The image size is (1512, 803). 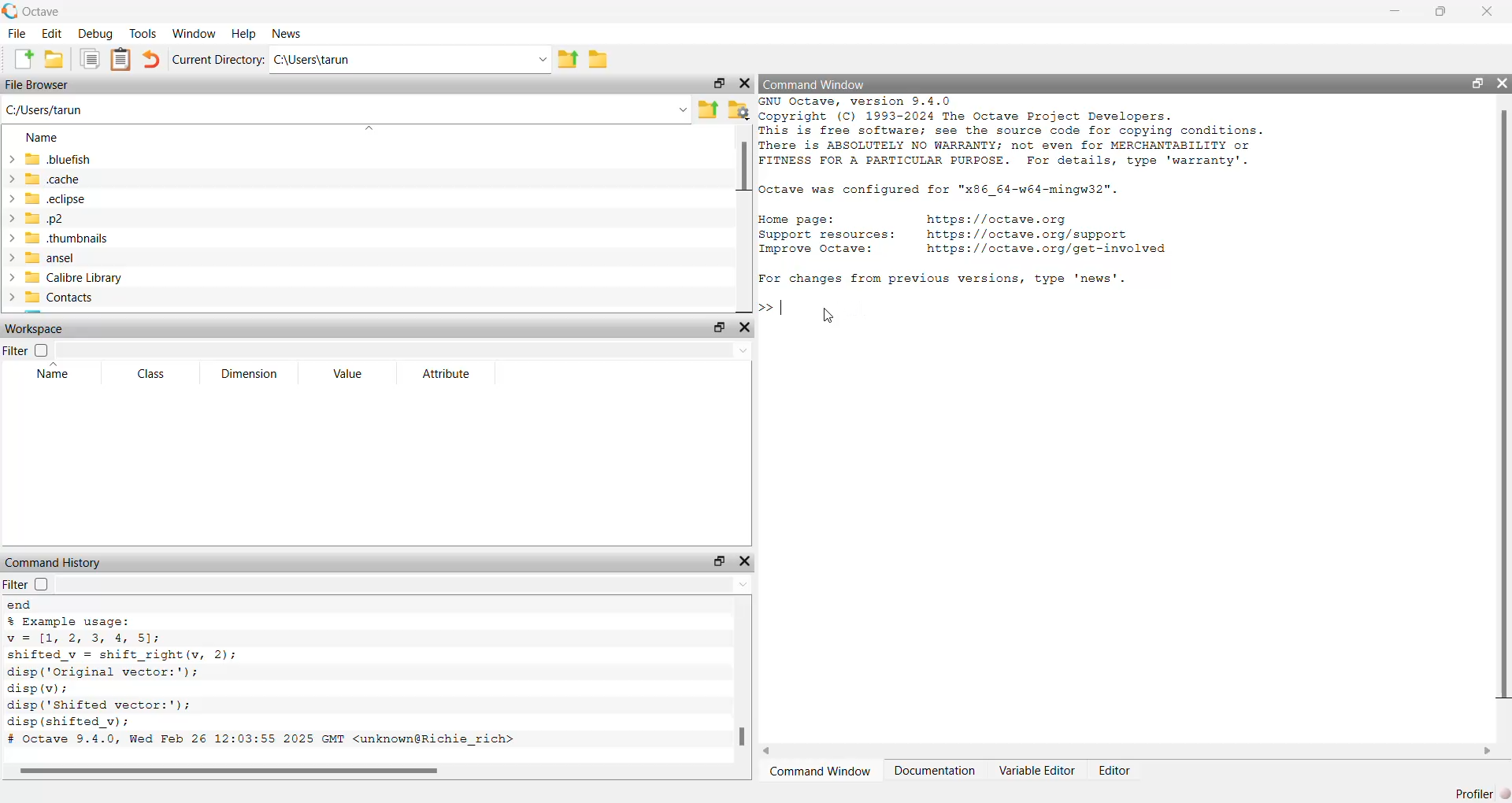 I want to click on debug, so click(x=97, y=35).